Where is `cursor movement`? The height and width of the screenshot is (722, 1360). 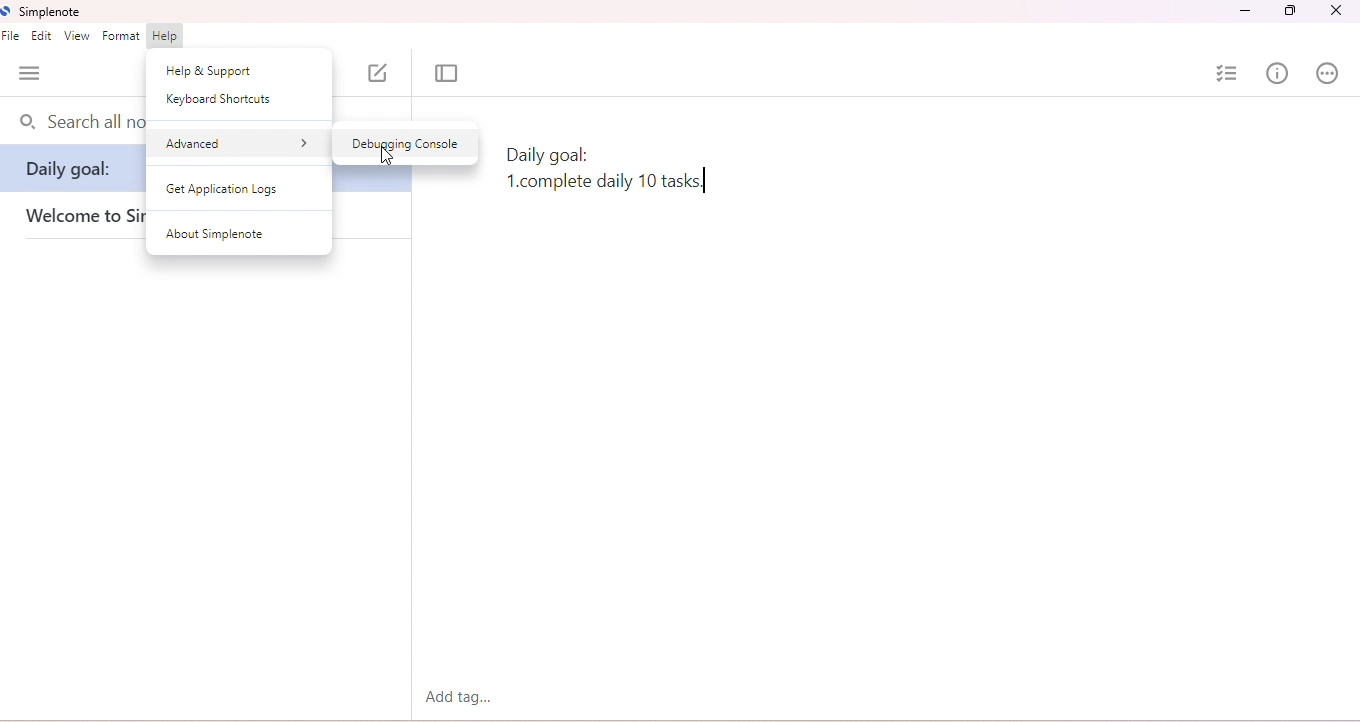
cursor movement is located at coordinates (388, 156).